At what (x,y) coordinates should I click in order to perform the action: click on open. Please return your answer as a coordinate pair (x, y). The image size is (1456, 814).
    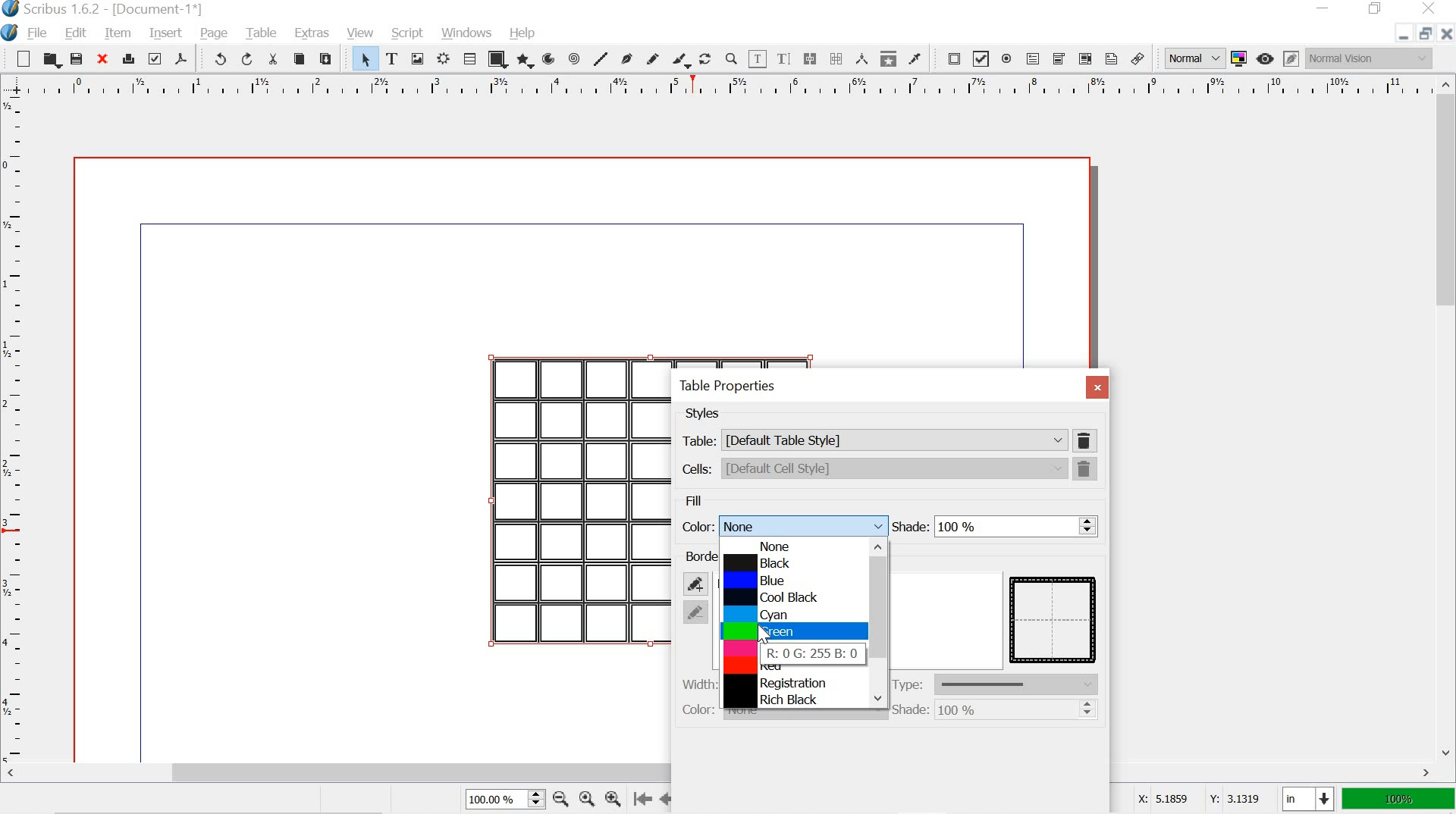
    Looking at the image, I should click on (51, 60).